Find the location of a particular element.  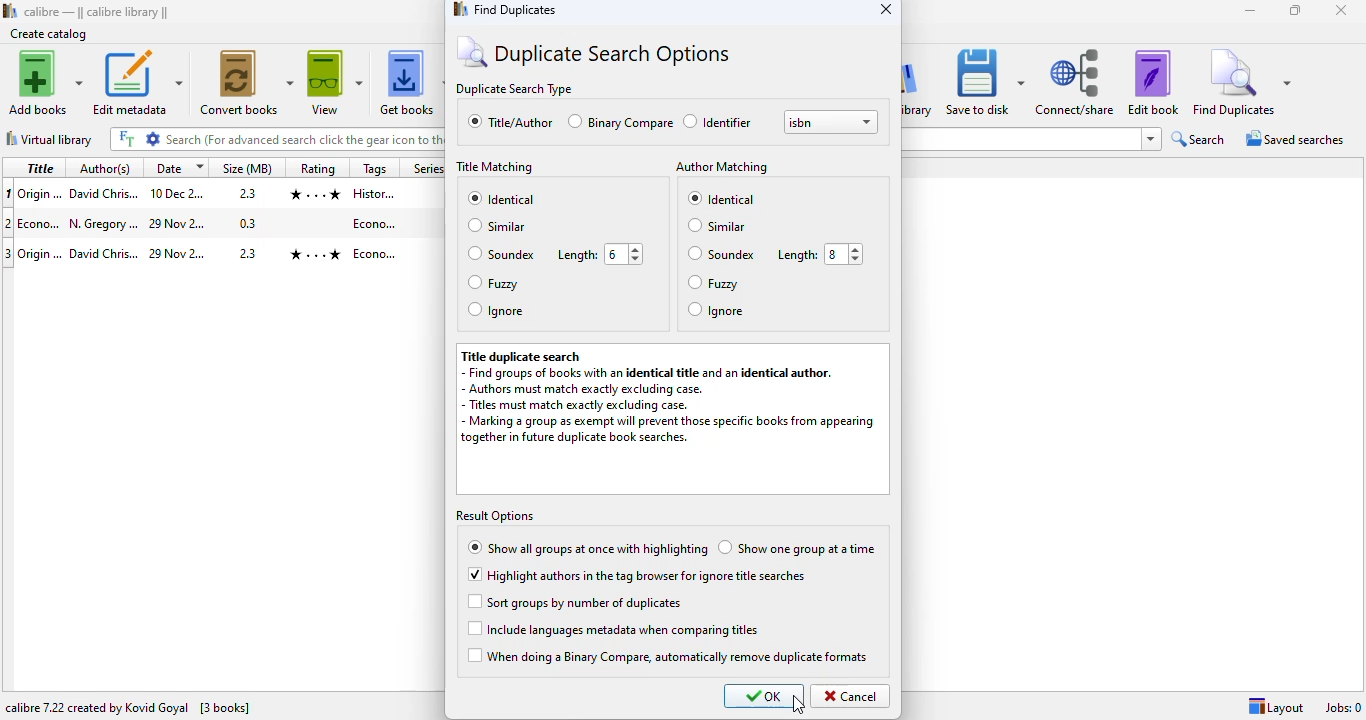

Econo...N.Dregory...29 Nov 2...0.3 Econo... Nov 2019 is located at coordinates (228, 224).